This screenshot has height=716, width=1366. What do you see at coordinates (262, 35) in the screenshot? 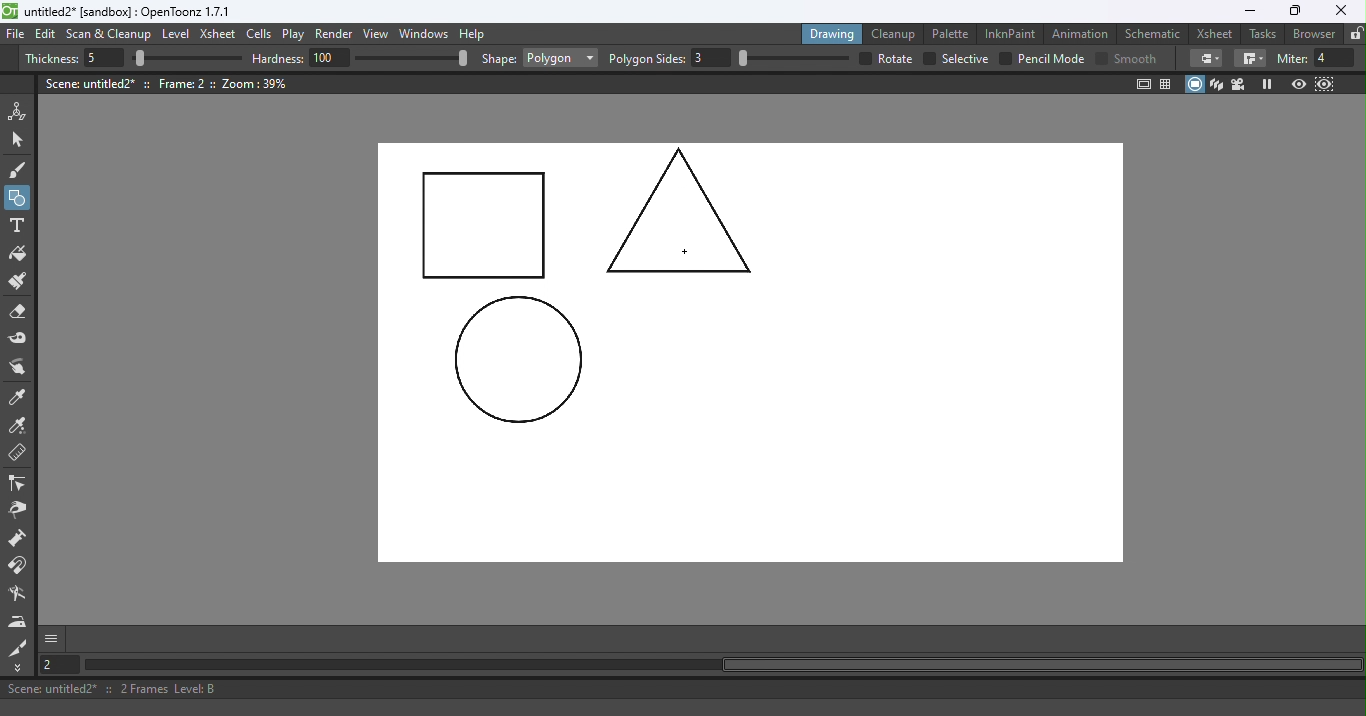
I see `Cells` at bounding box center [262, 35].